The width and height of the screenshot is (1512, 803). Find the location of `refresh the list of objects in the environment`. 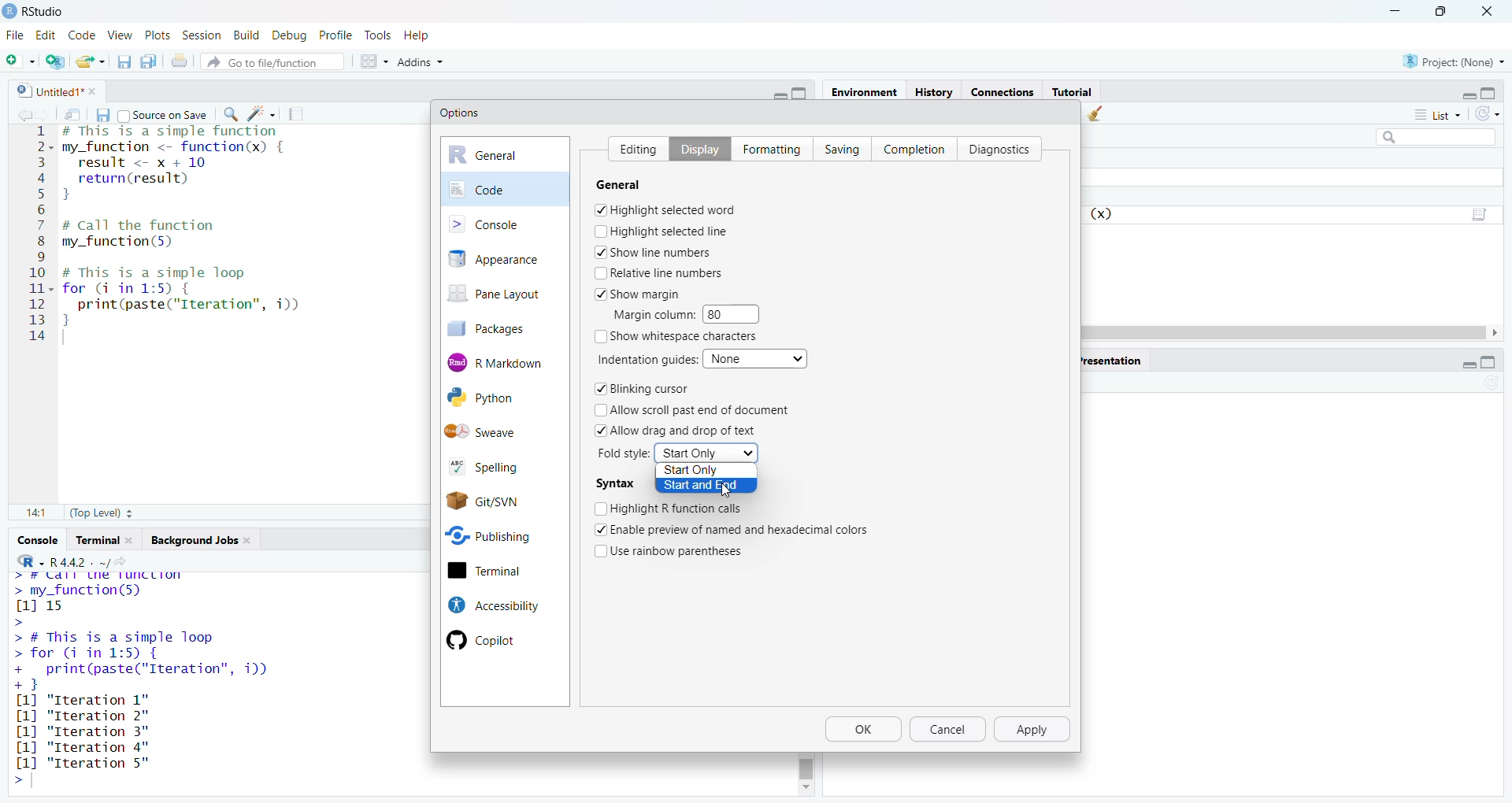

refresh the list of objects in the environment is located at coordinates (1495, 116).